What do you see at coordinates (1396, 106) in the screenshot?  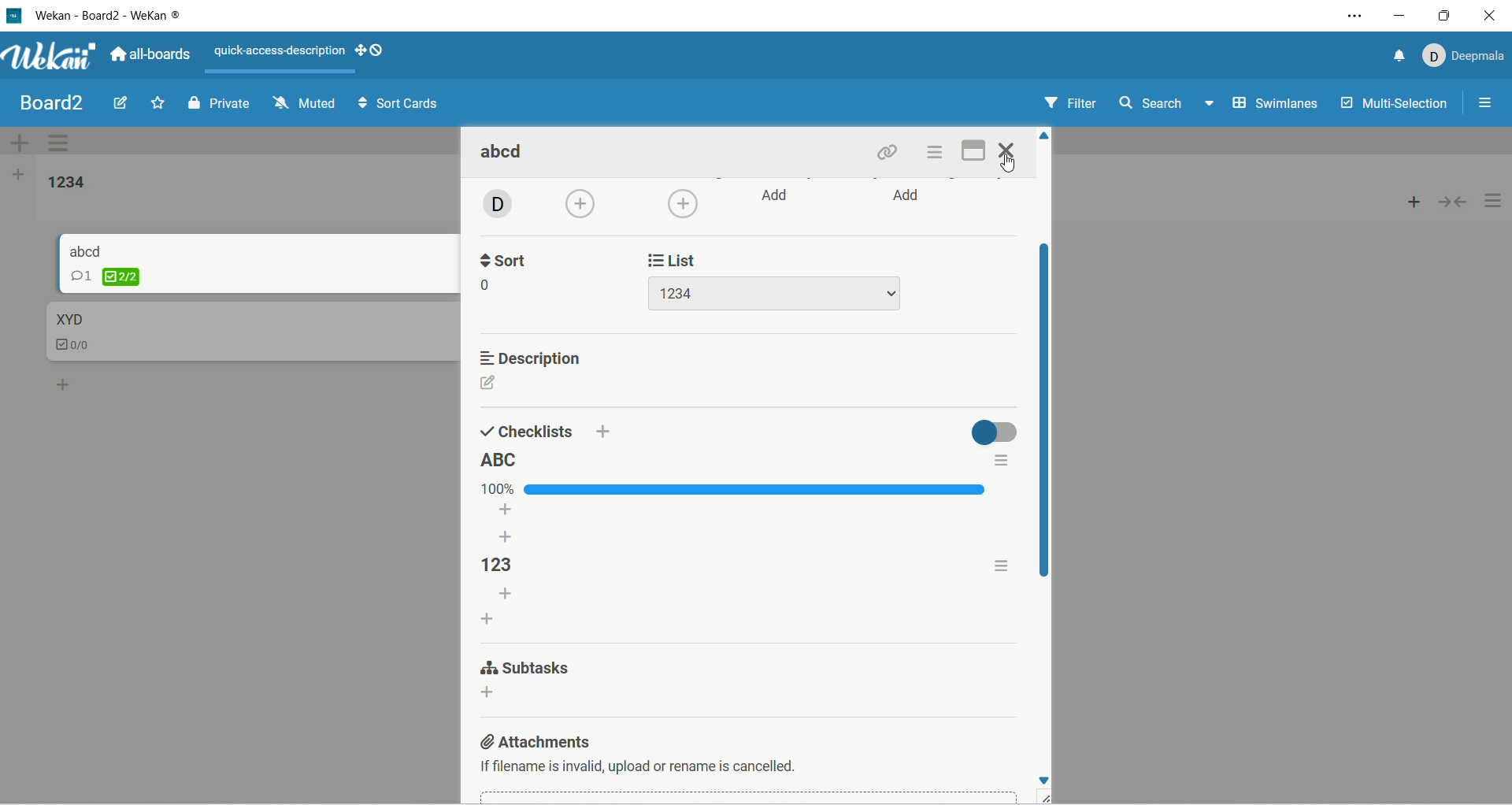 I see `multi-selection` at bounding box center [1396, 106].